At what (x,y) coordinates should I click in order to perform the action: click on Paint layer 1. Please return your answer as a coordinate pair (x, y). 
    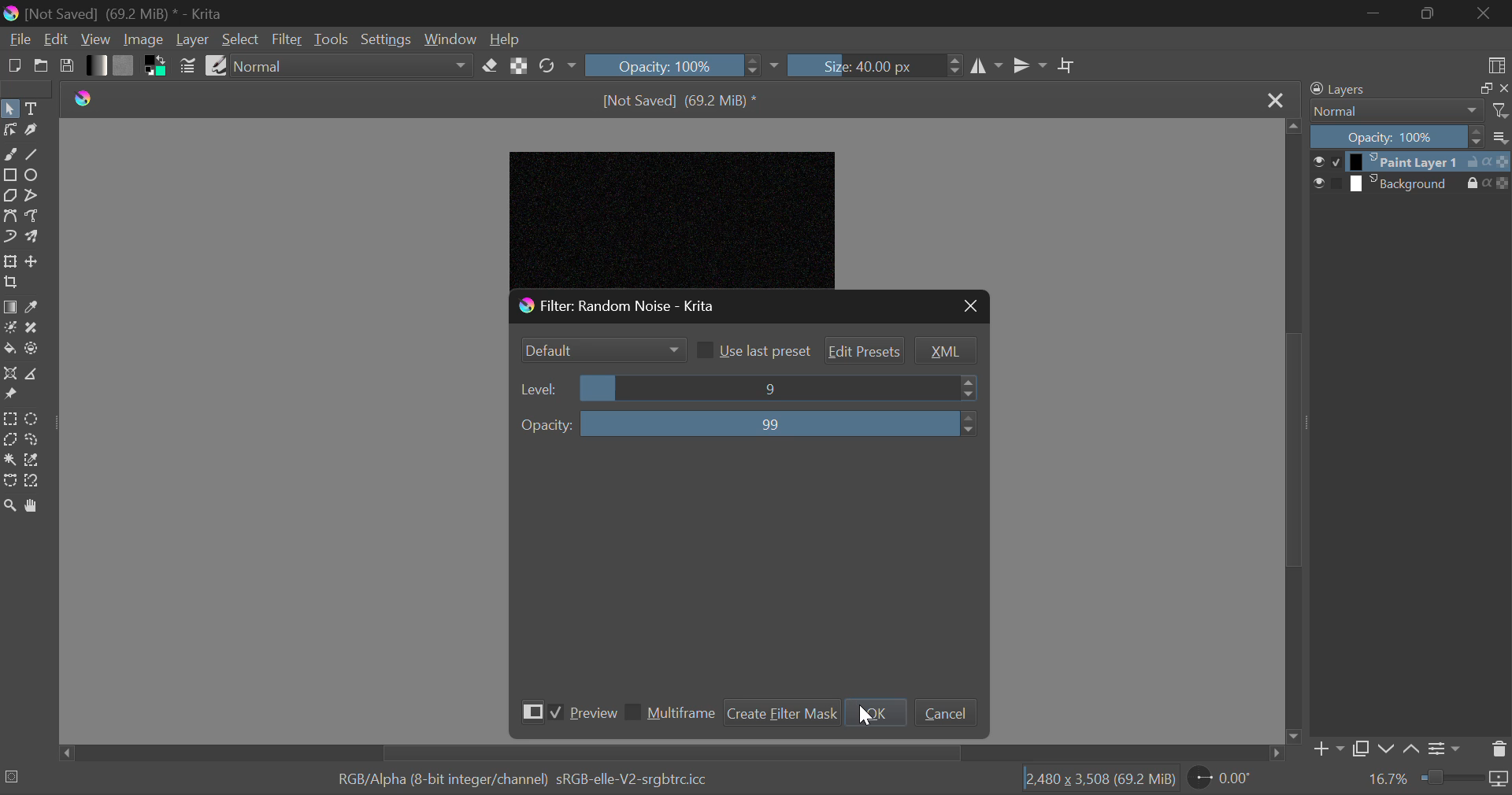
    Looking at the image, I should click on (1401, 162).